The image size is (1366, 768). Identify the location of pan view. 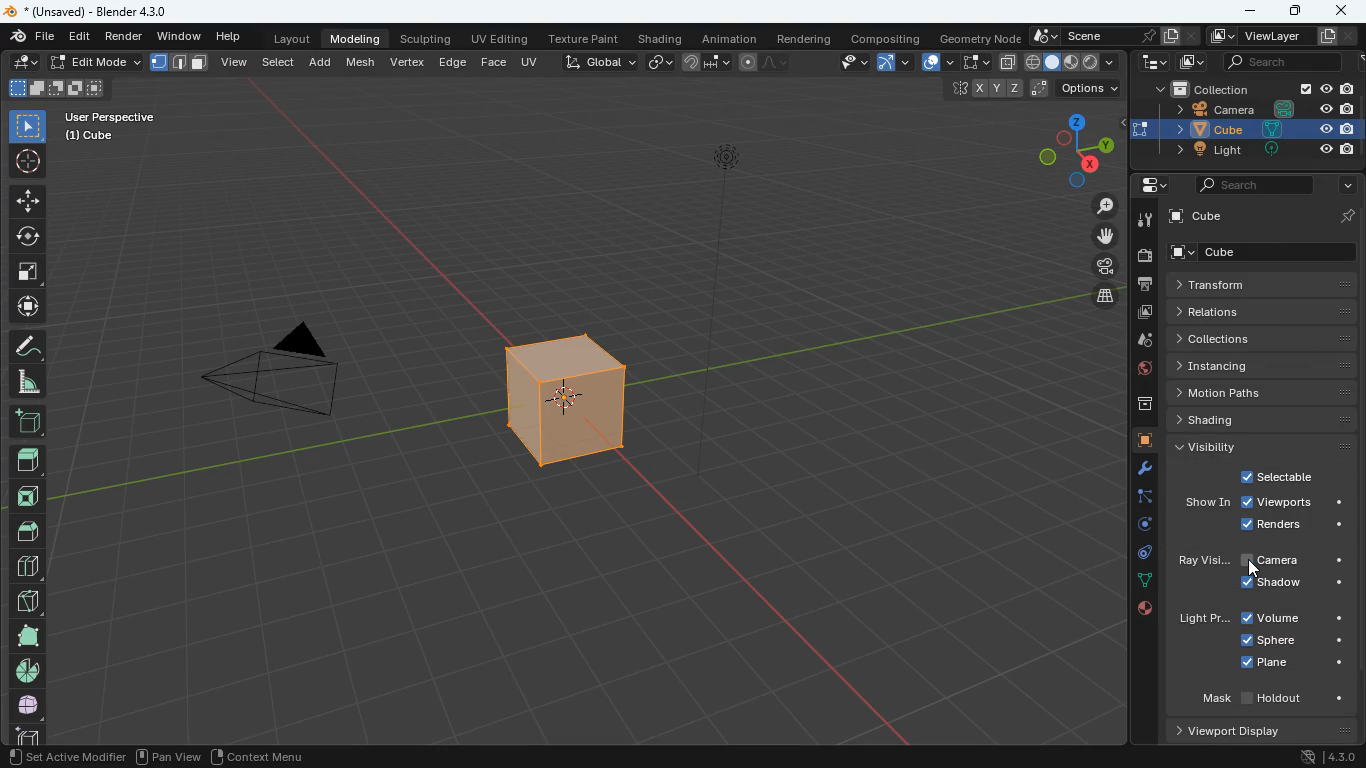
(167, 755).